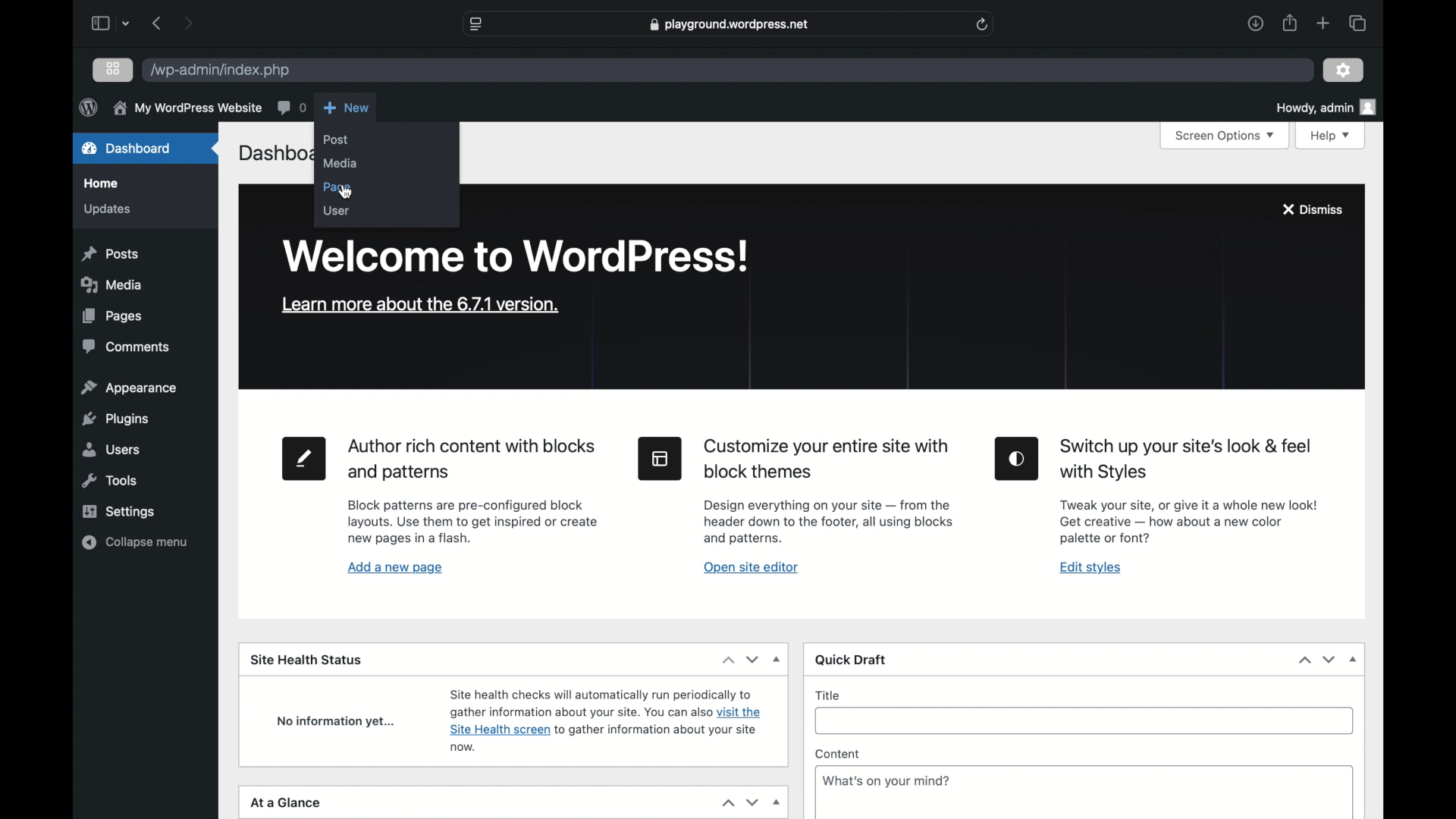 The height and width of the screenshot is (819, 1456). I want to click on page, so click(337, 187).